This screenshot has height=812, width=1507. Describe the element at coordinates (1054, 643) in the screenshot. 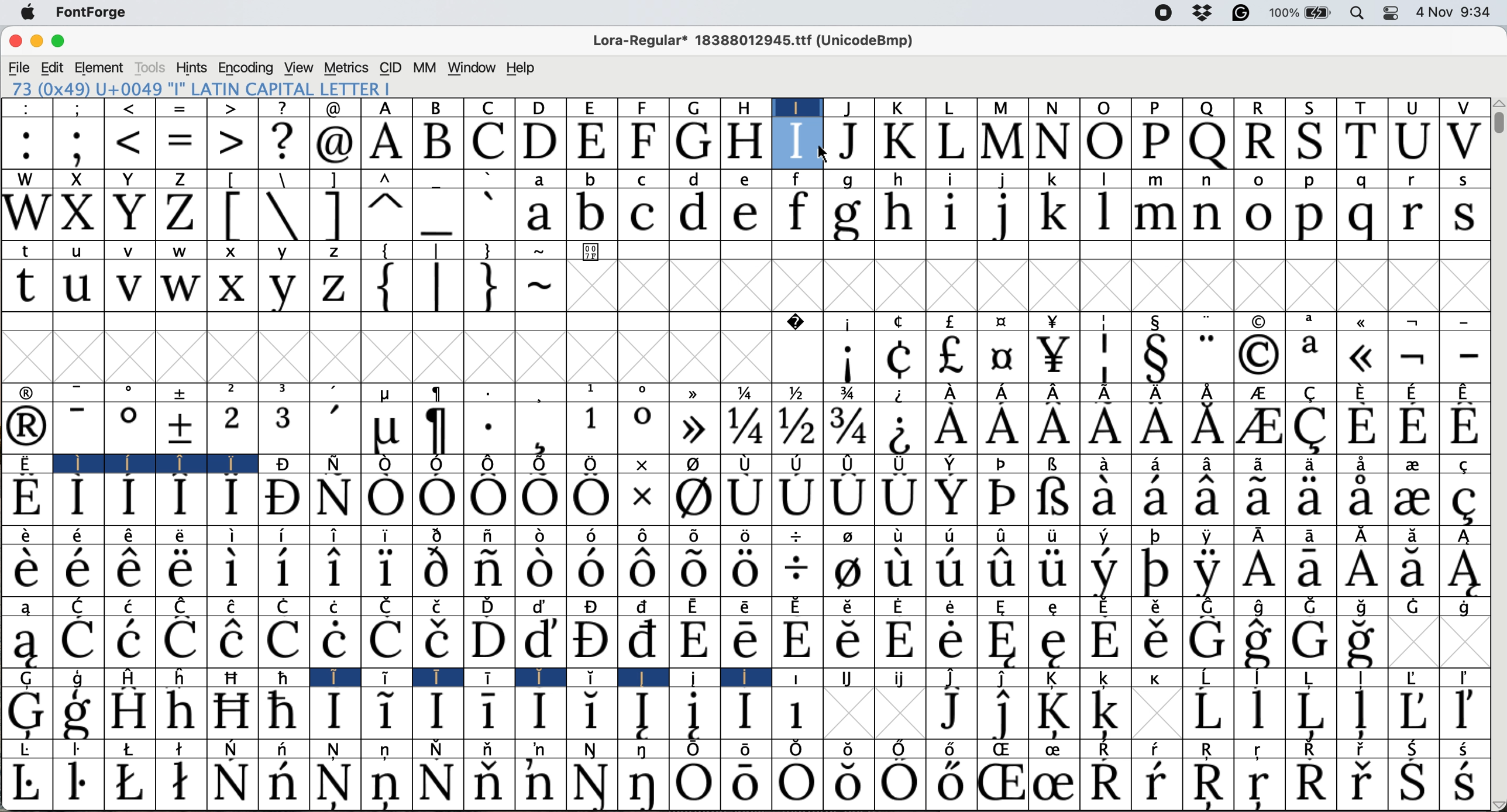

I see `Symbol` at that location.